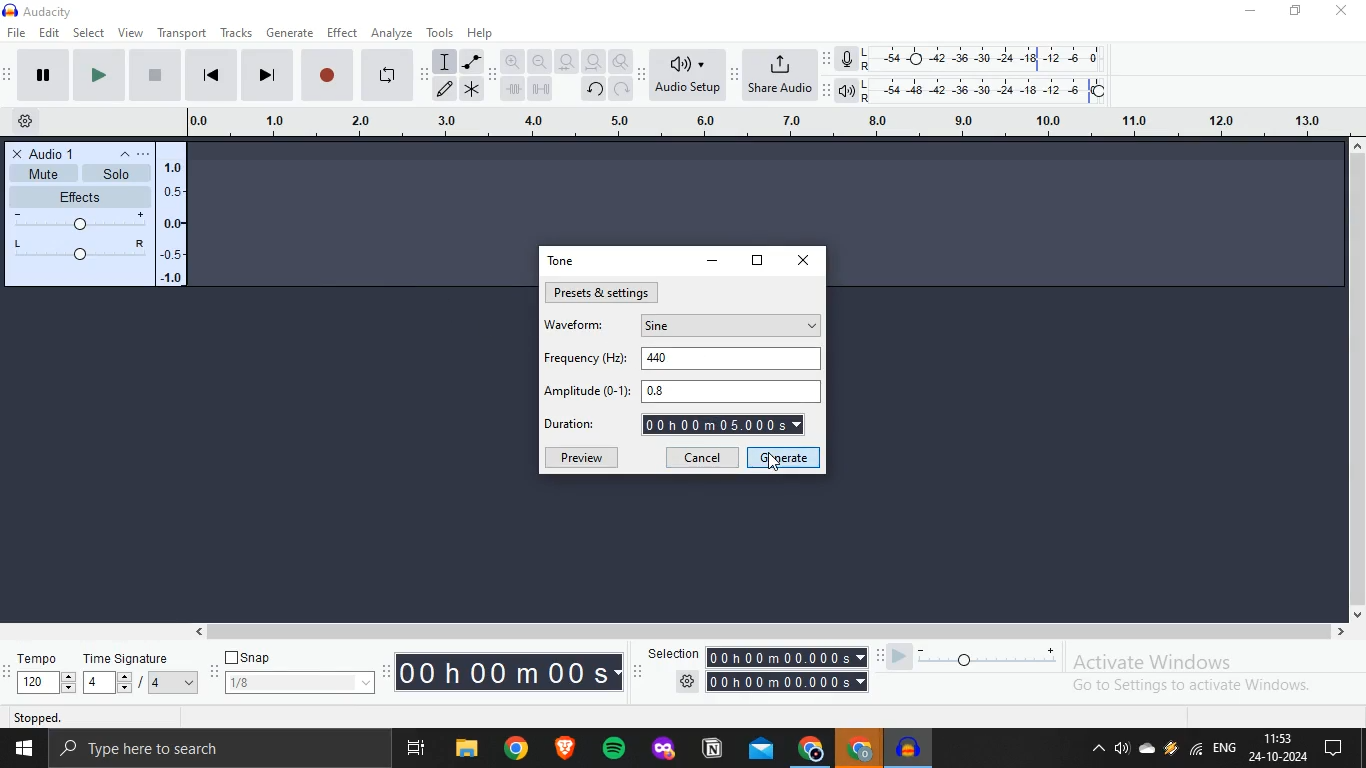 The width and height of the screenshot is (1366, 768). I want to click on Frequency, so click(587, 358).